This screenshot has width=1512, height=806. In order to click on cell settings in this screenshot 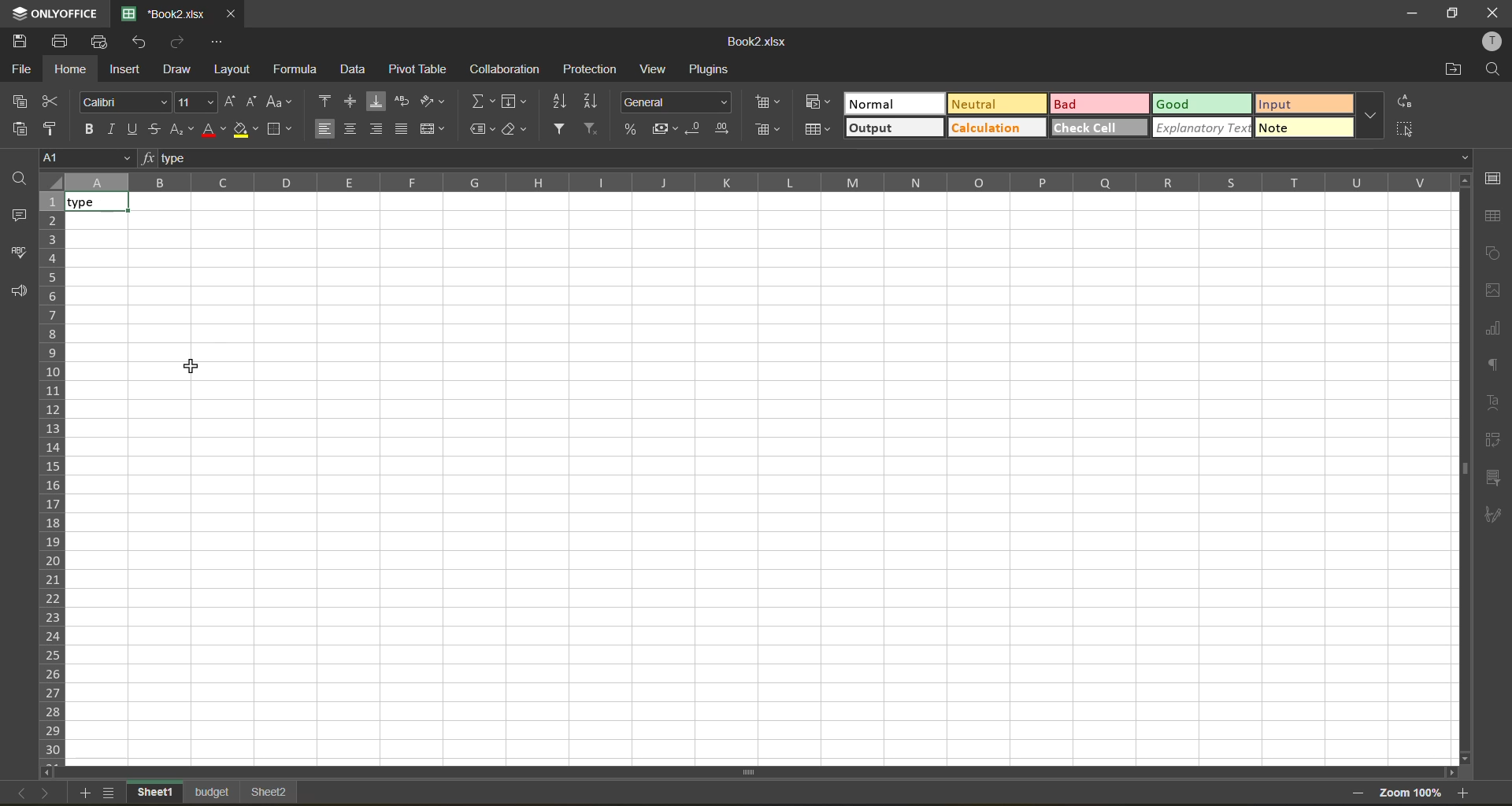, I will do `click(1493, 179)`.